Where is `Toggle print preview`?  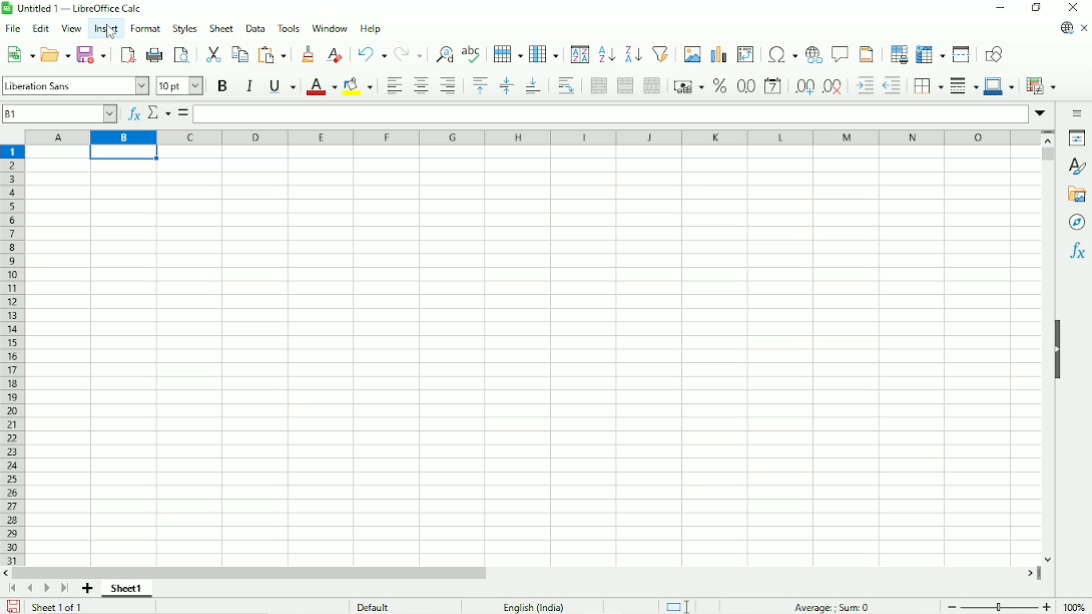 Toggle print preview is located at coordinates (183, 53).